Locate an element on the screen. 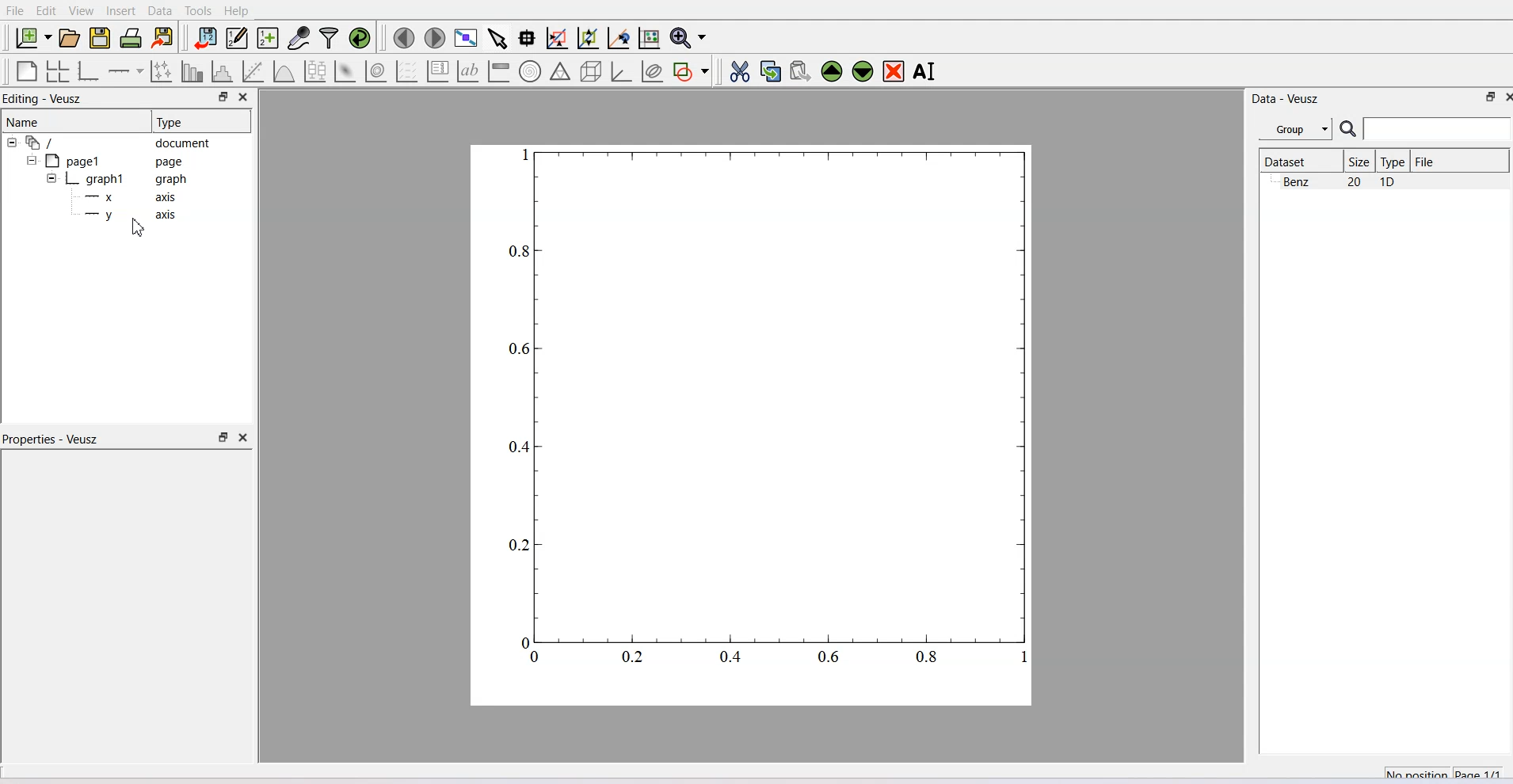  New Document is located at coordinates (32, 37).